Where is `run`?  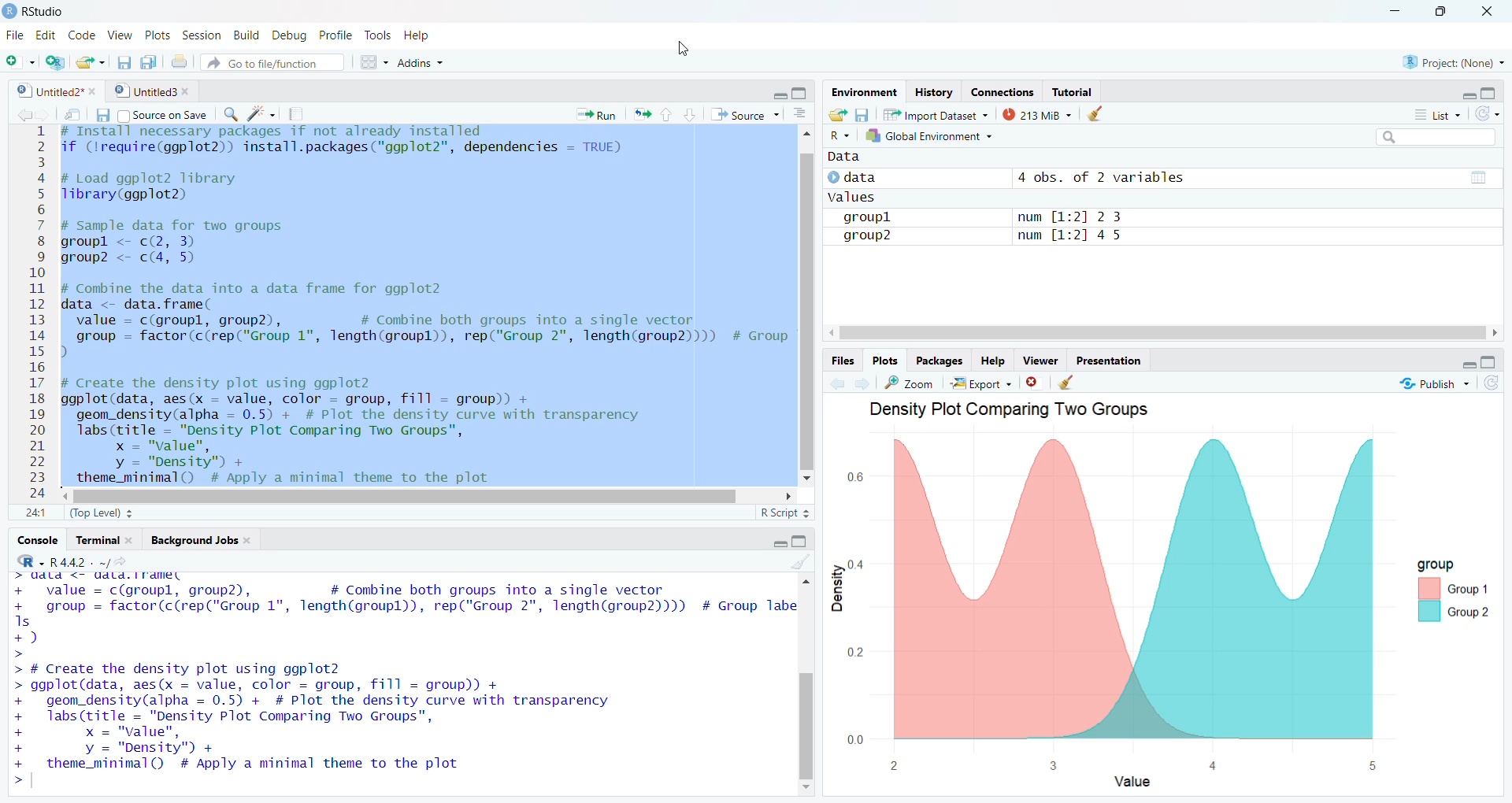 run is located at coordinates (591, 115).